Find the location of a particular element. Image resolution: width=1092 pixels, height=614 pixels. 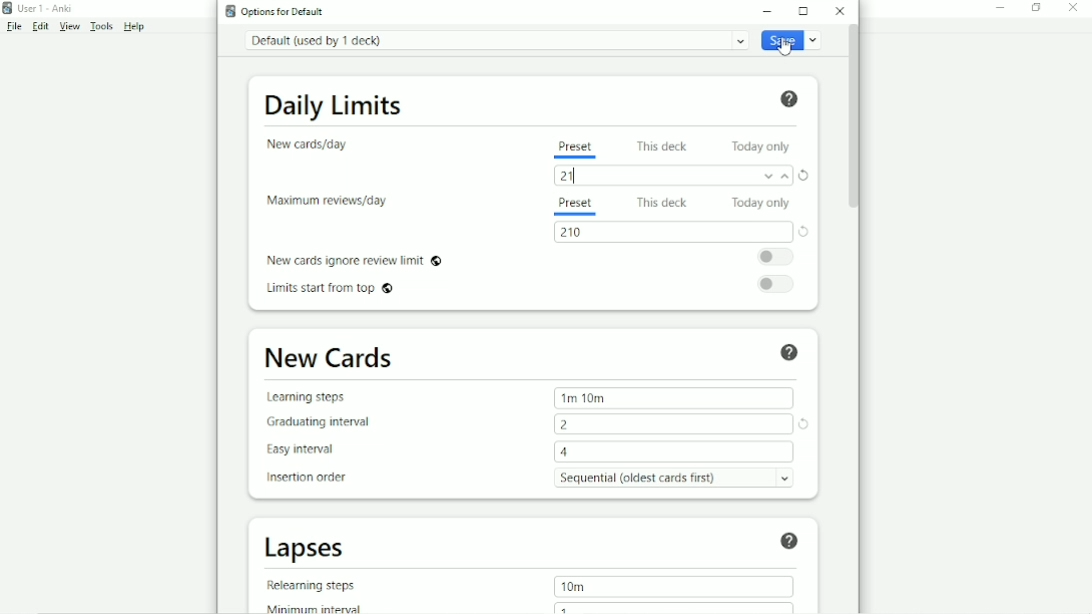

Close is located at coordinates (838, 11).